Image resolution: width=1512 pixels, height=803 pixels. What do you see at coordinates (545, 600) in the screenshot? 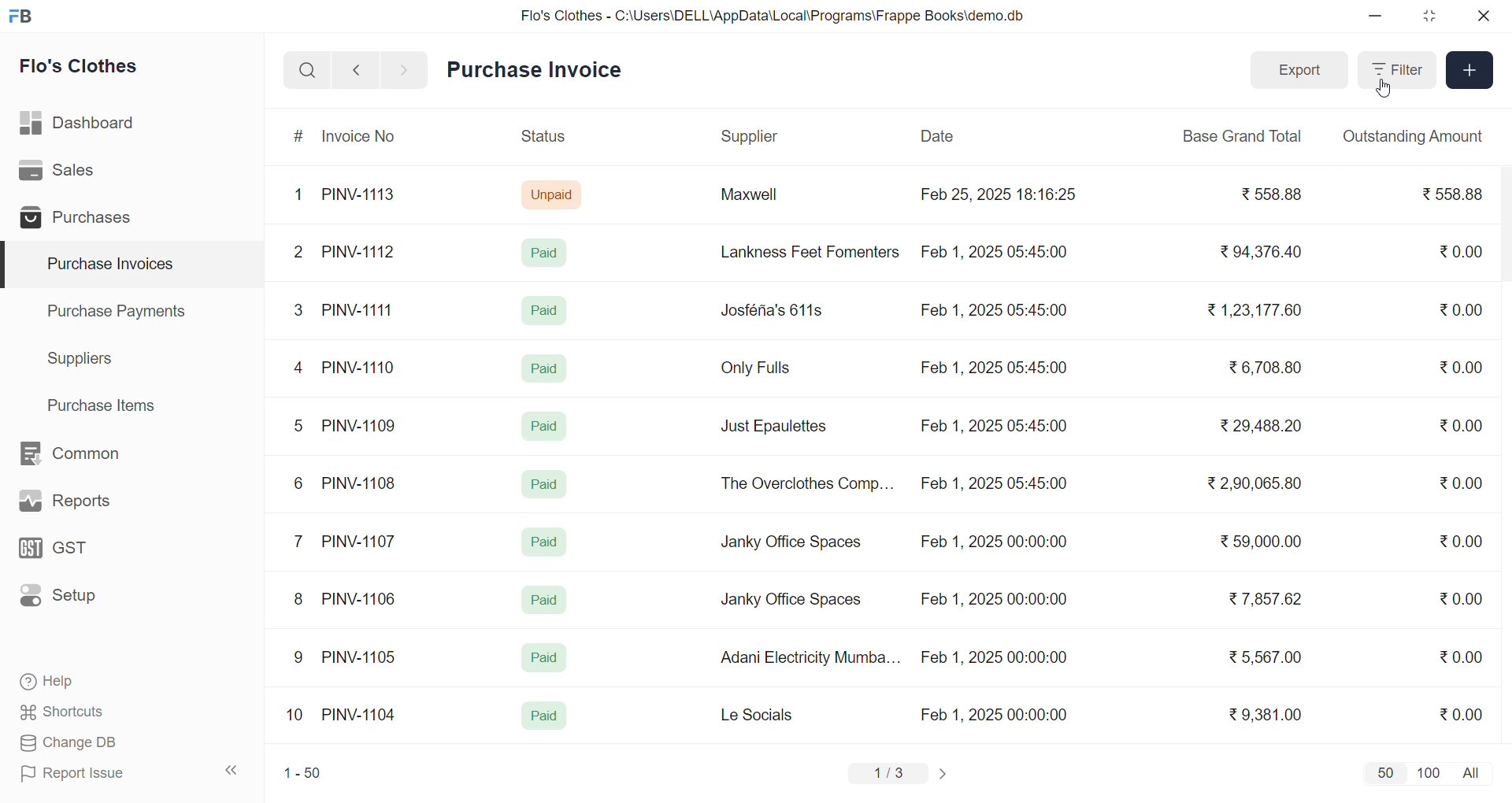
I see `Paid` at bounding box center [545, 600].